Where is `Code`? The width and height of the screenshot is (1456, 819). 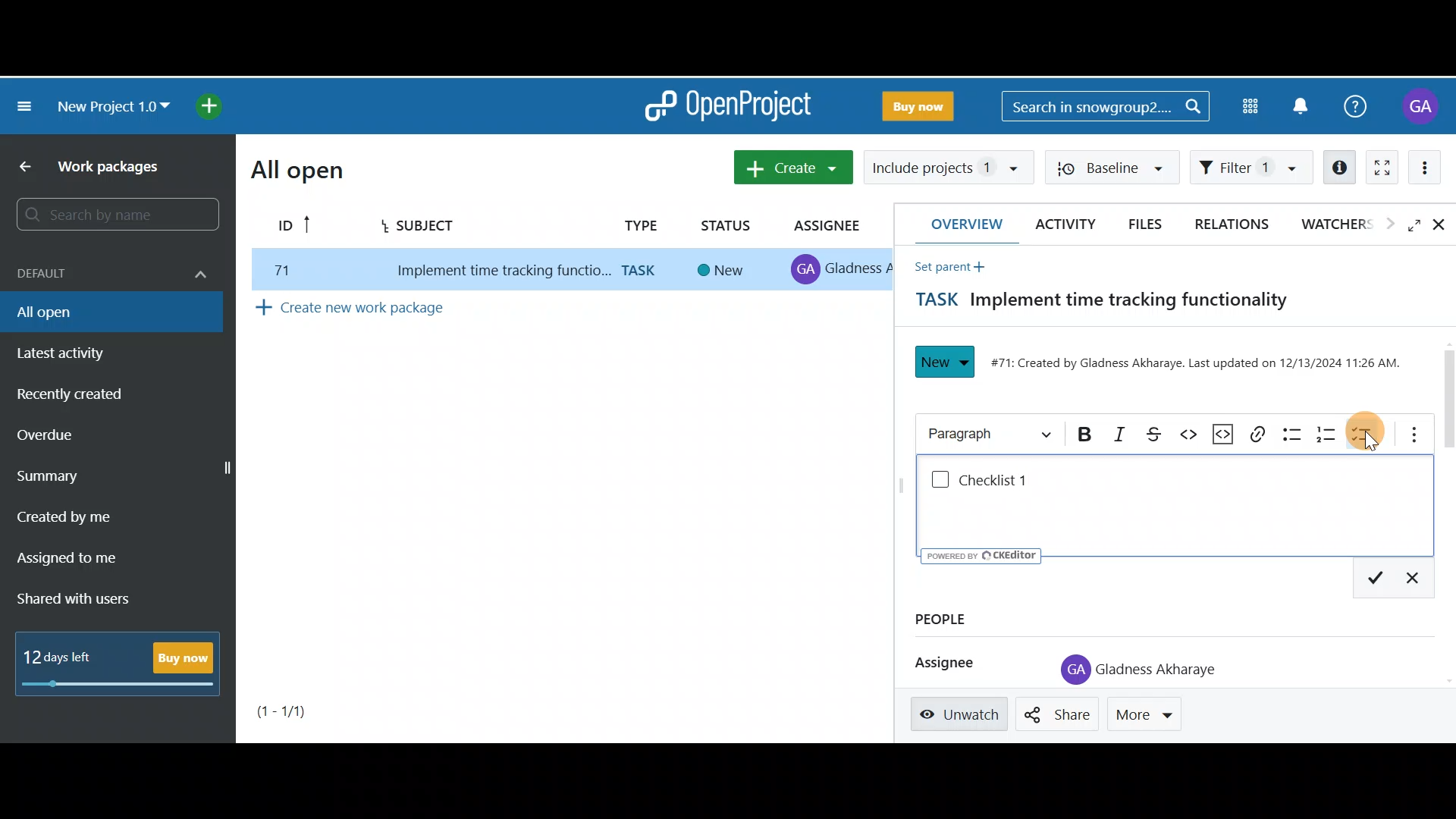
Code is located at coordinates (1193, 435).